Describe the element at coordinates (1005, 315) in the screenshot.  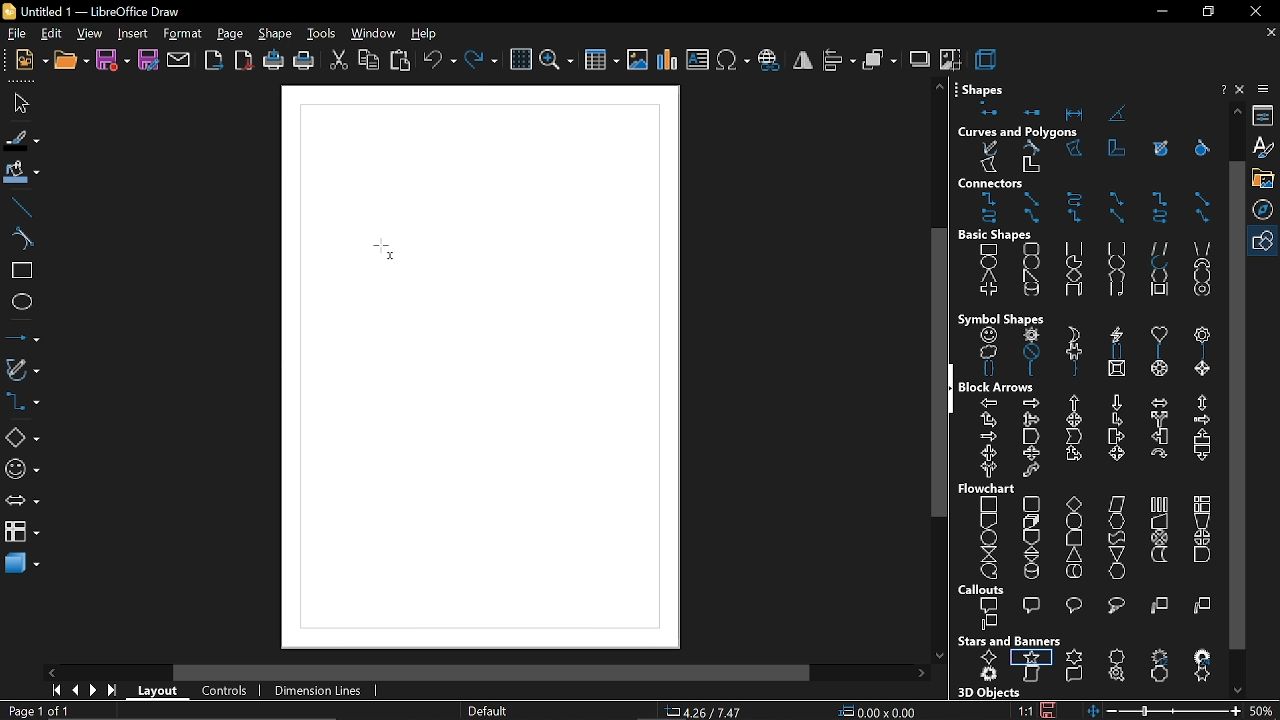
I see `symbol shapes` at that location.